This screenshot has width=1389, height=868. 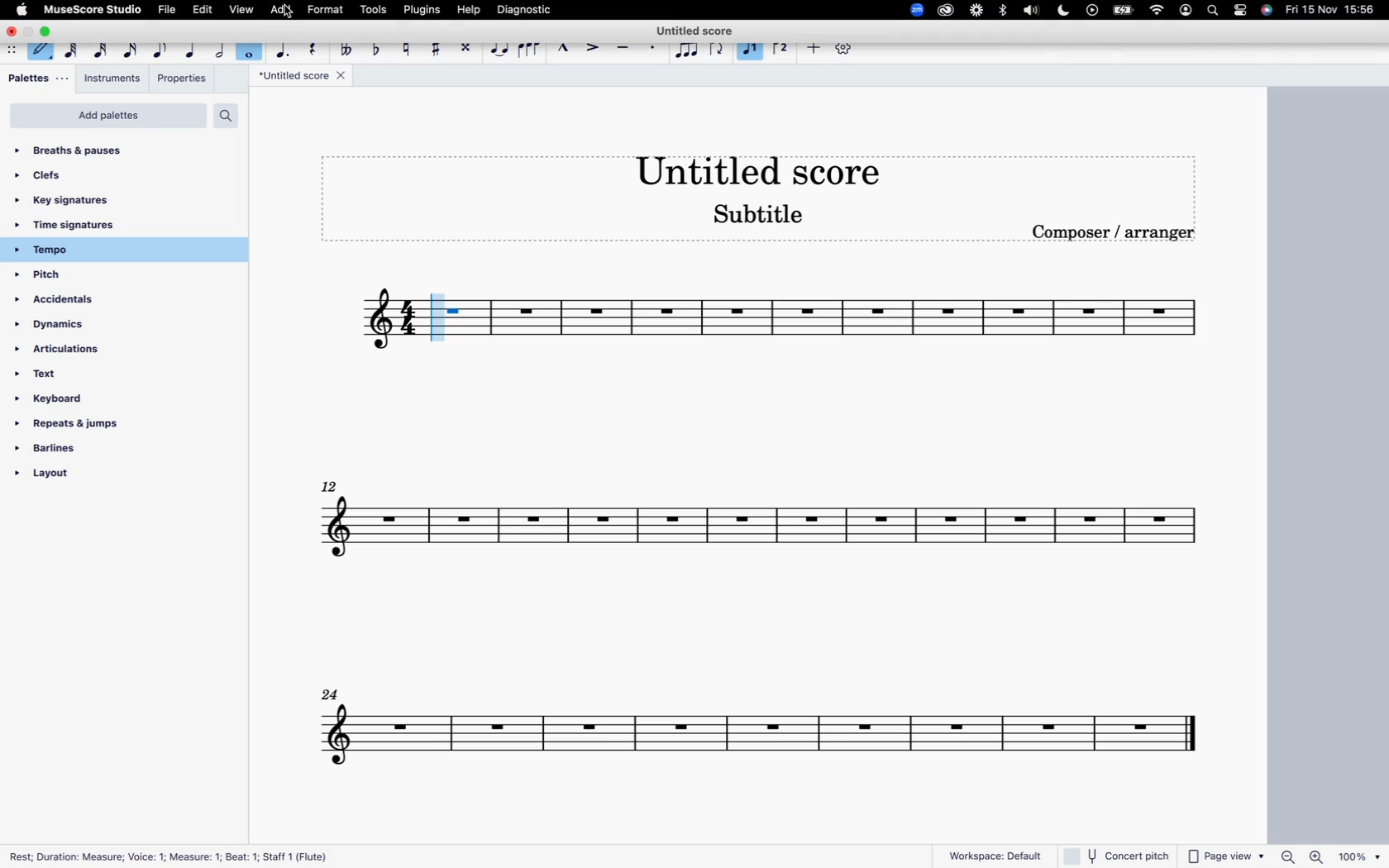 What do you see at coordinates (81, 352) in the screenshot?
I see `articulations` at bounding box center [81, 352].